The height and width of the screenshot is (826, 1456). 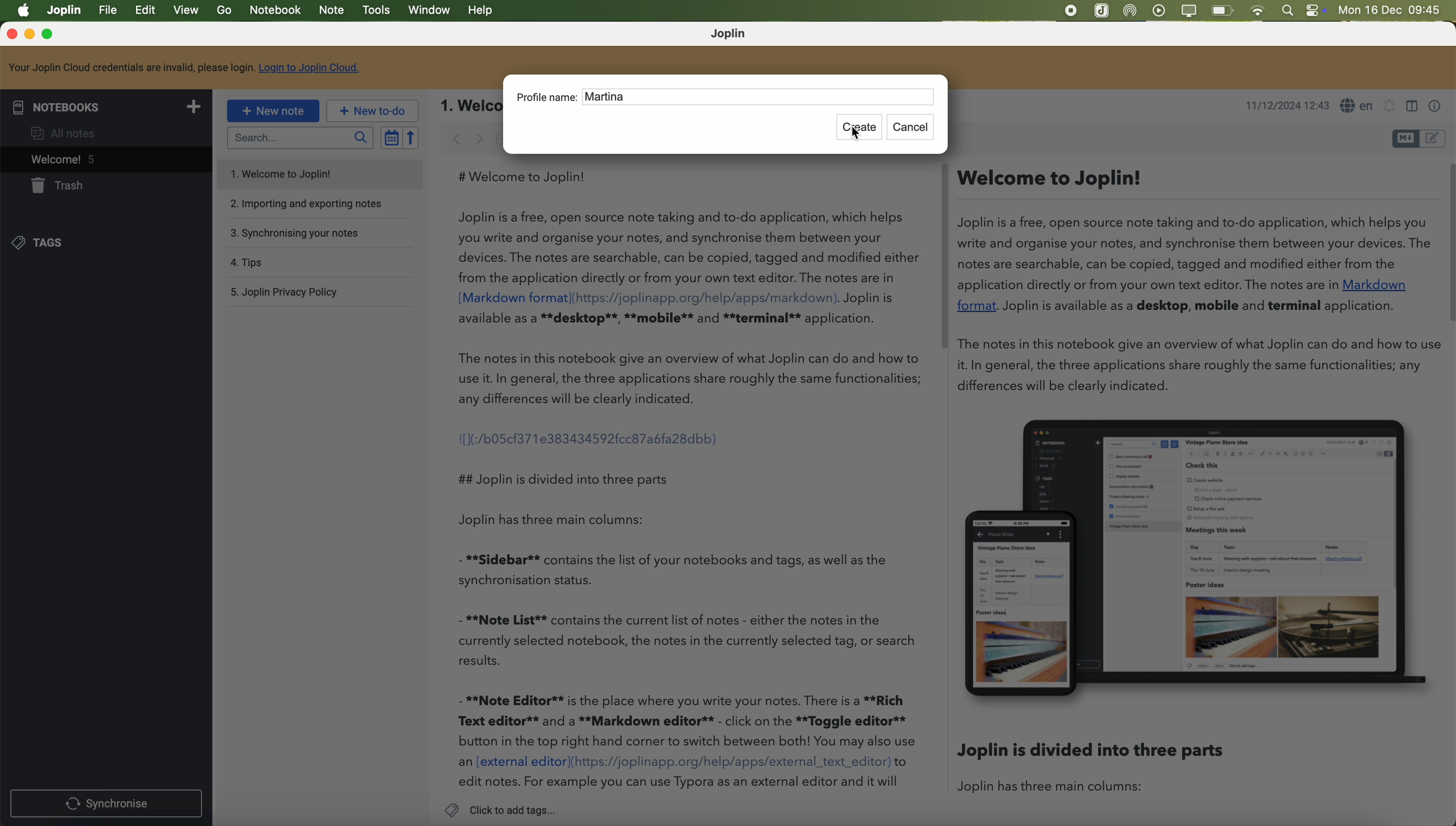 I want to click on controls, so click(x=1319, y=11).